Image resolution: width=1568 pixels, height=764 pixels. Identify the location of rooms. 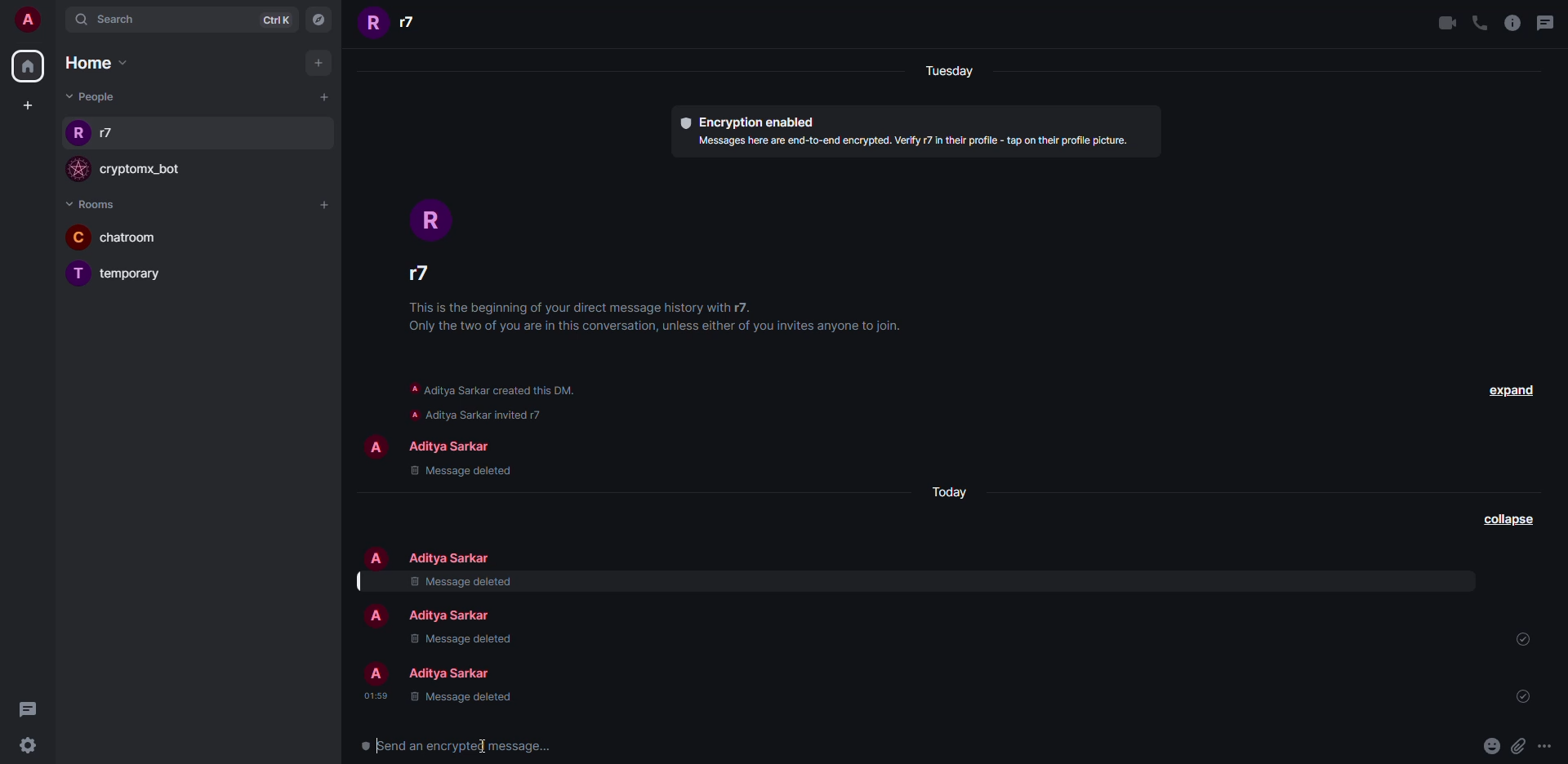
(97, 204).